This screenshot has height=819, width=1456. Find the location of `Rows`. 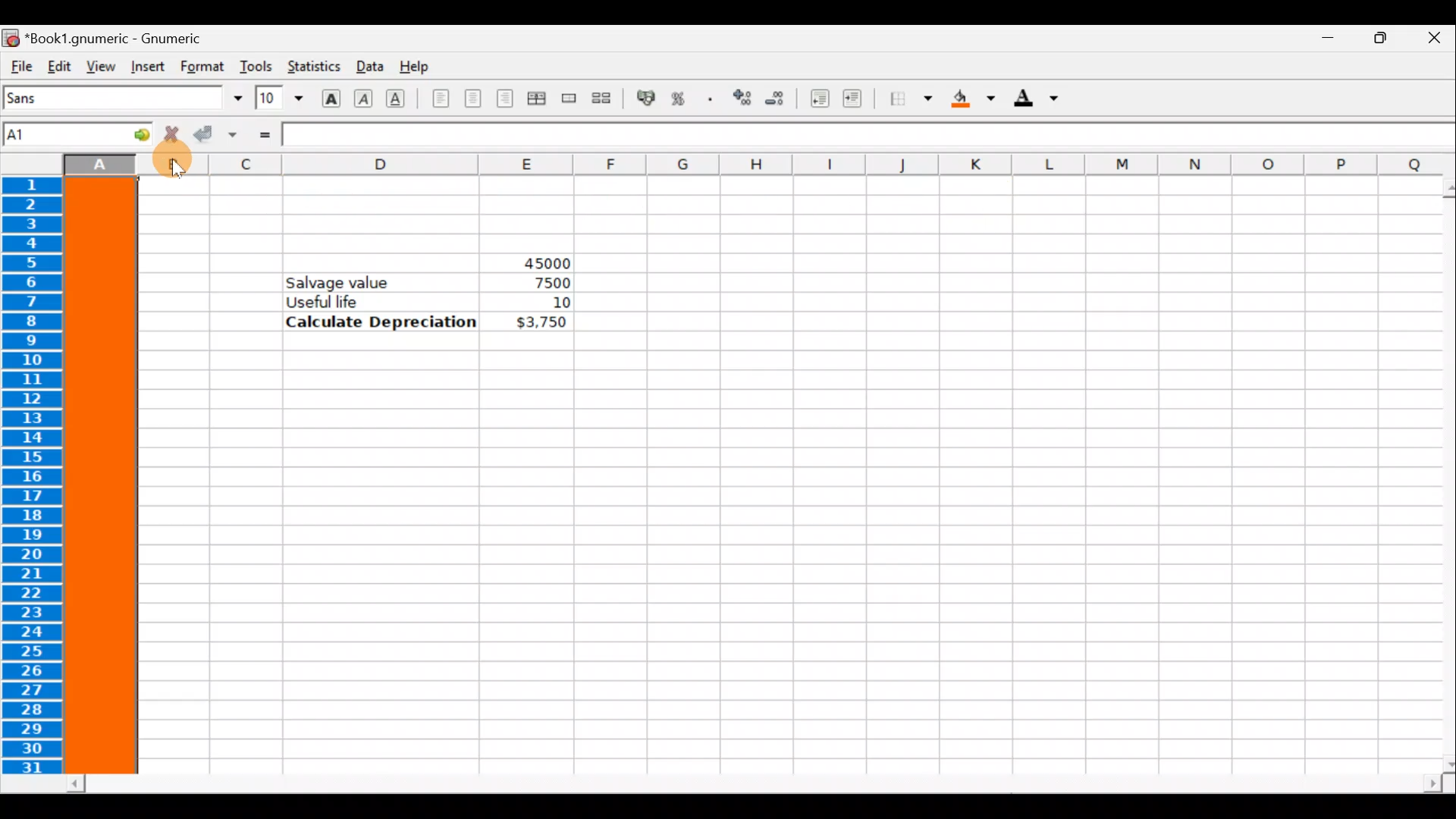

Rows is located at coordinates (36, 477).